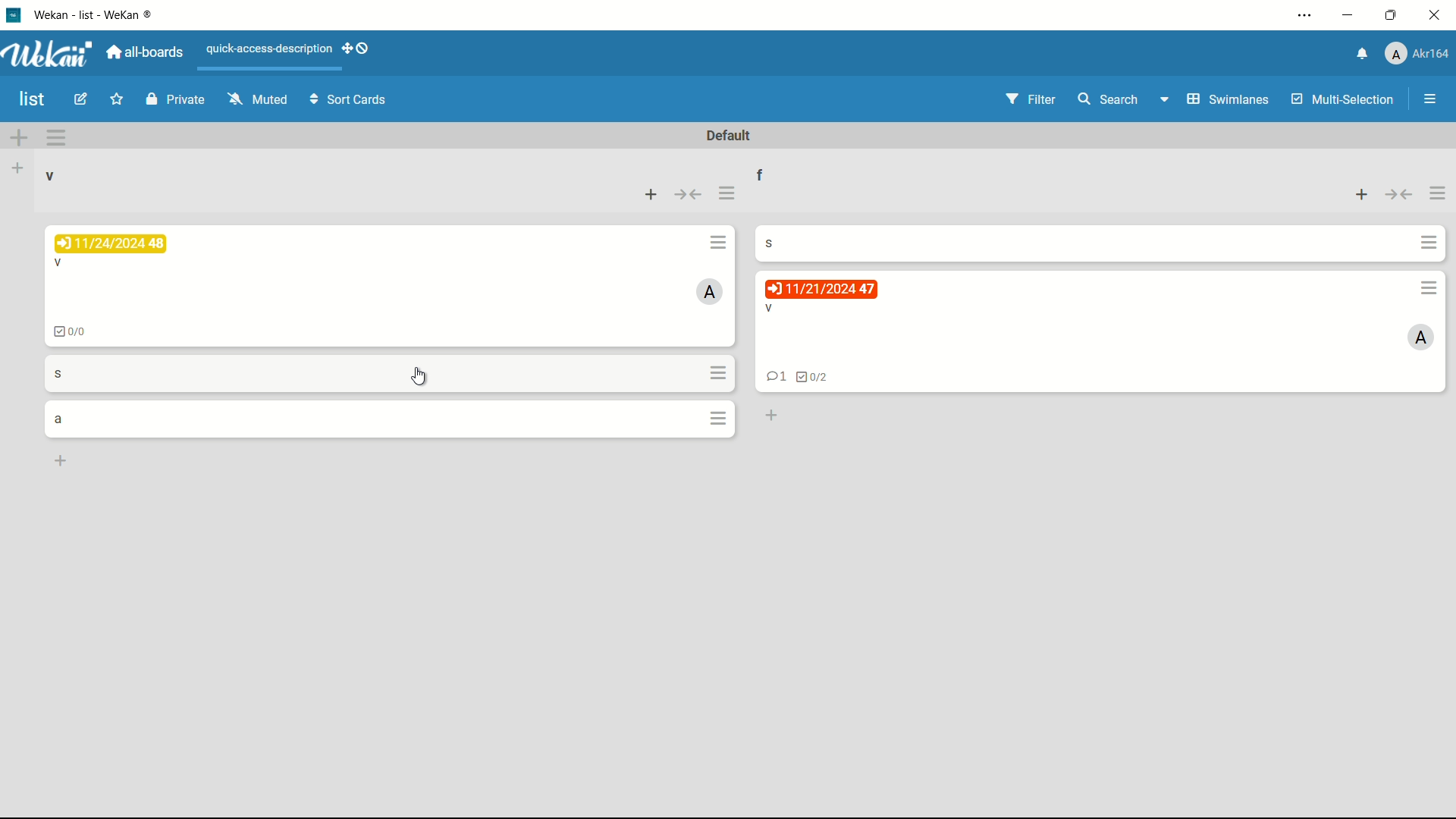 This screenshot has width=1456, height=819. I want to click on close app, so click(1437, 17).